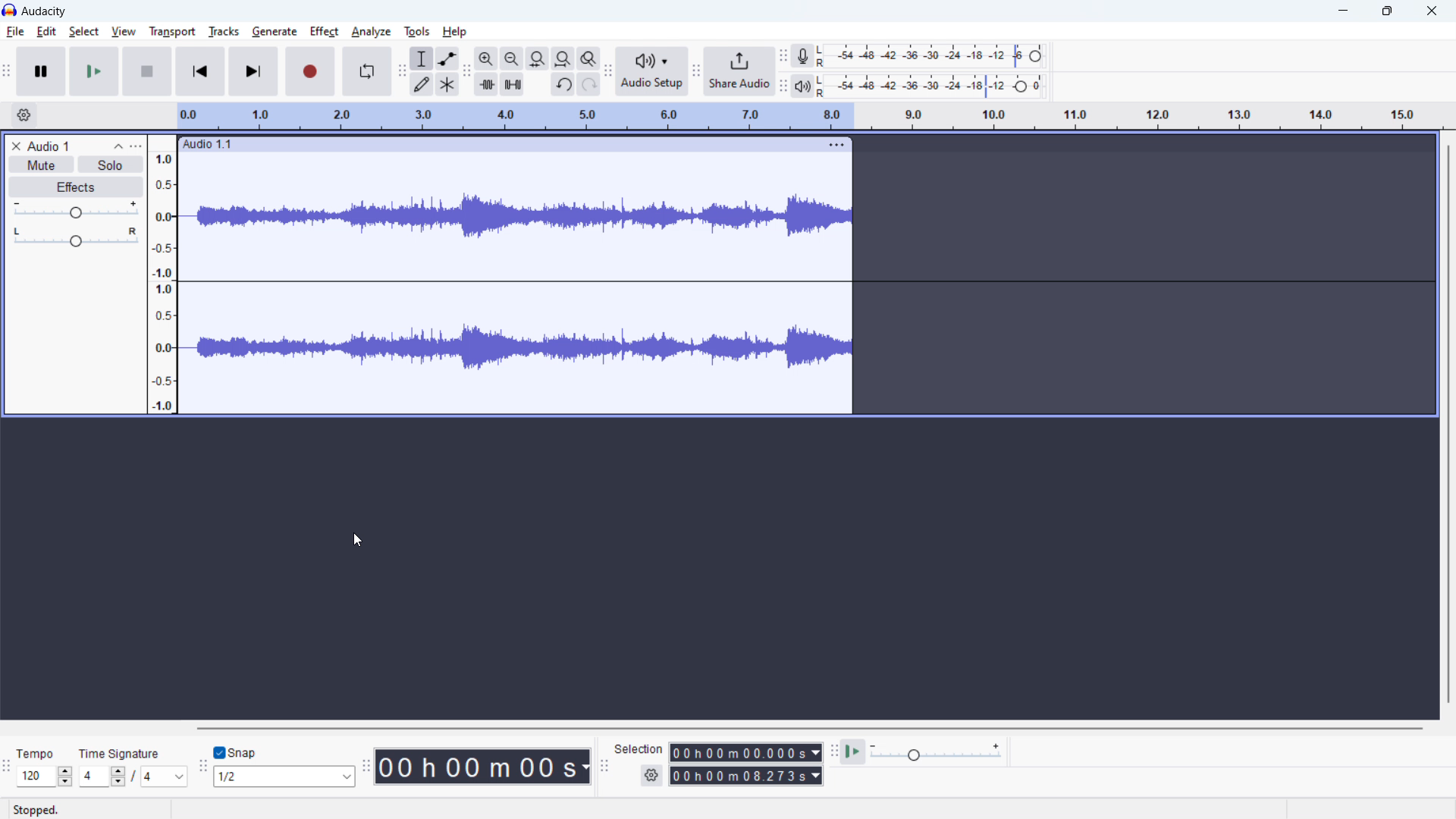 The image size is (1456, 819). I want to click on playback meter, so click(803, 85).